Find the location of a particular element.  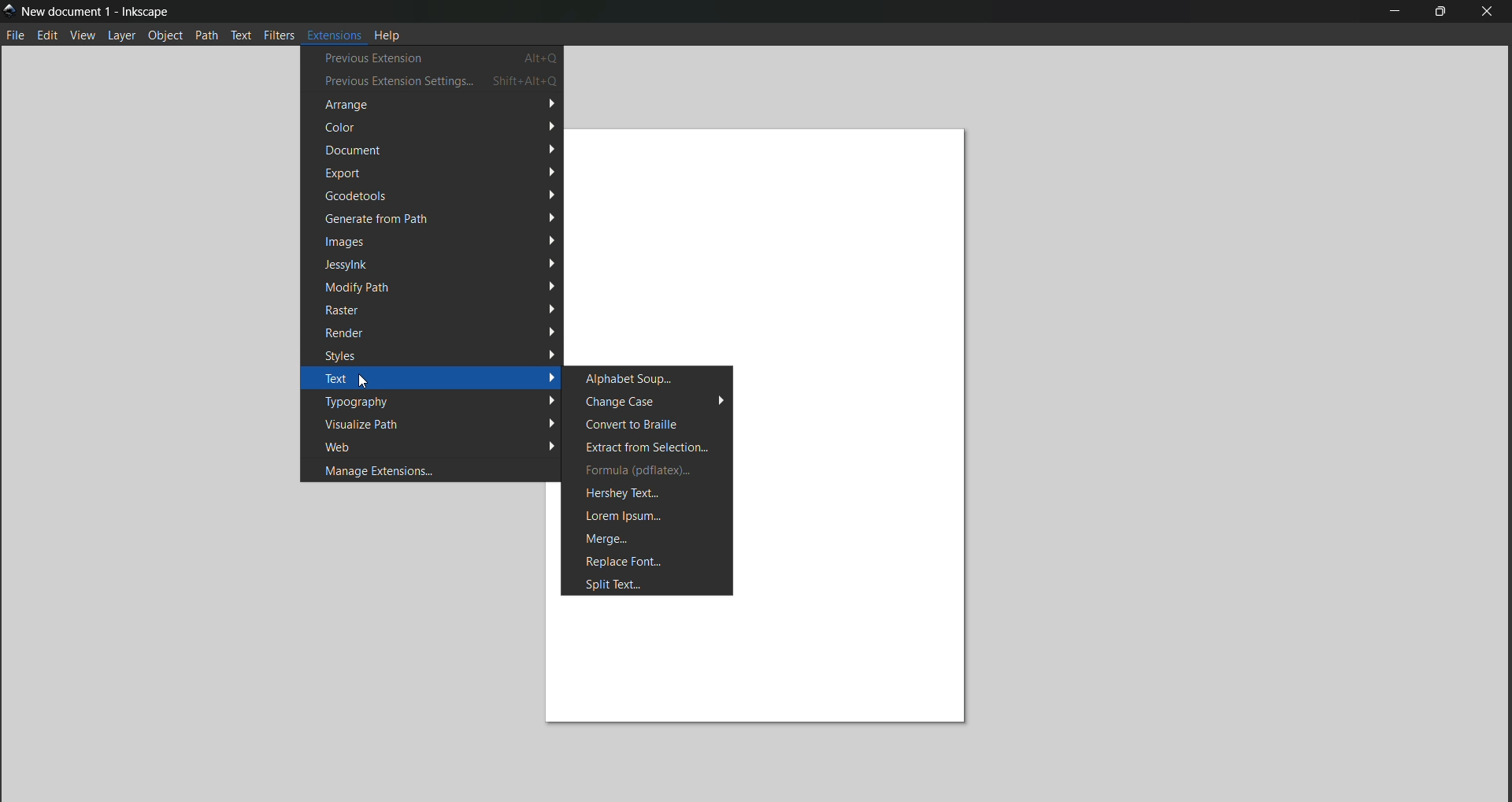

help is located at coordinates (389, 34).